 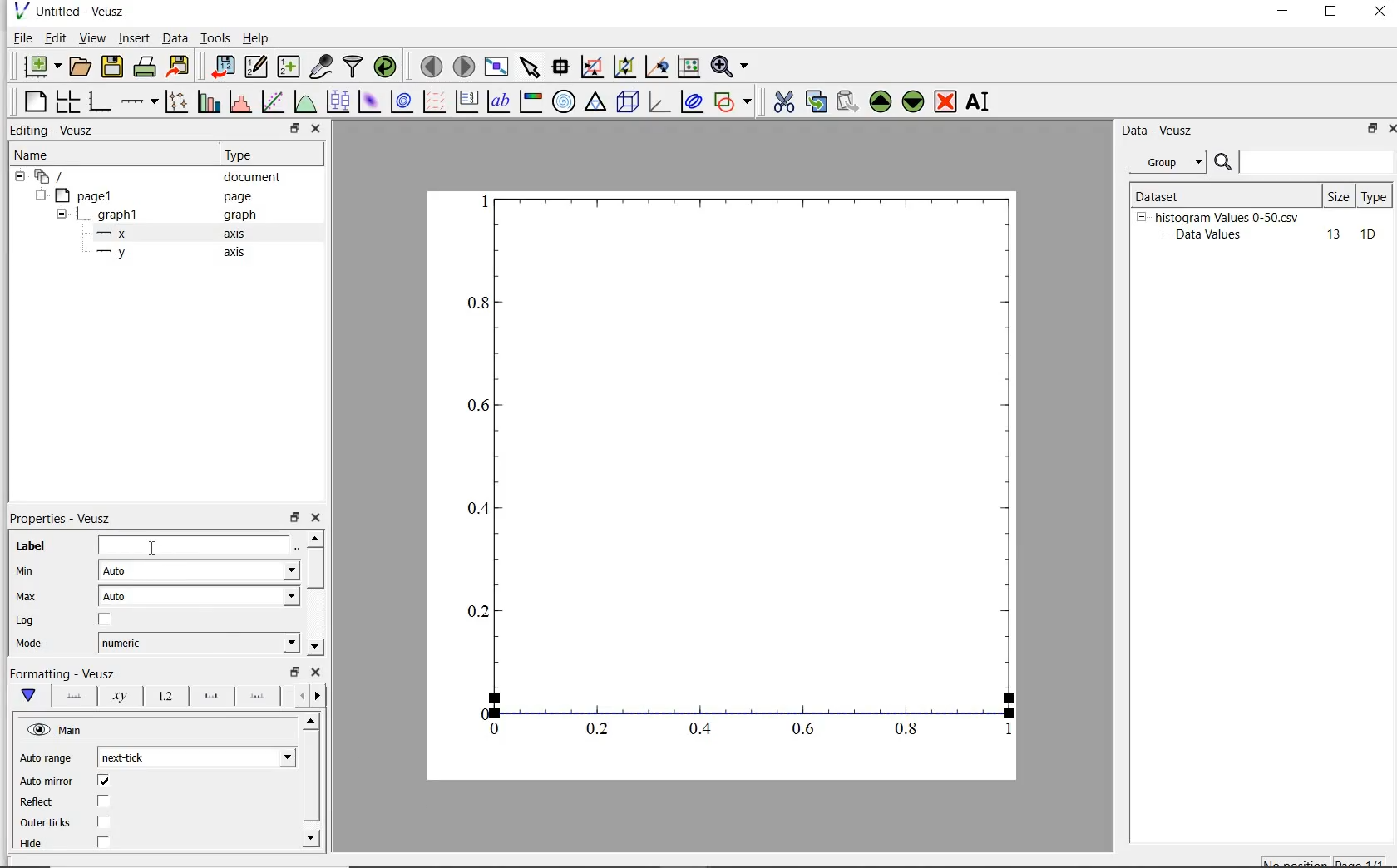 What do you see at coordinates (115, 235) in the screenshot?
I see `x- axis` at bounding box center [115, 235].